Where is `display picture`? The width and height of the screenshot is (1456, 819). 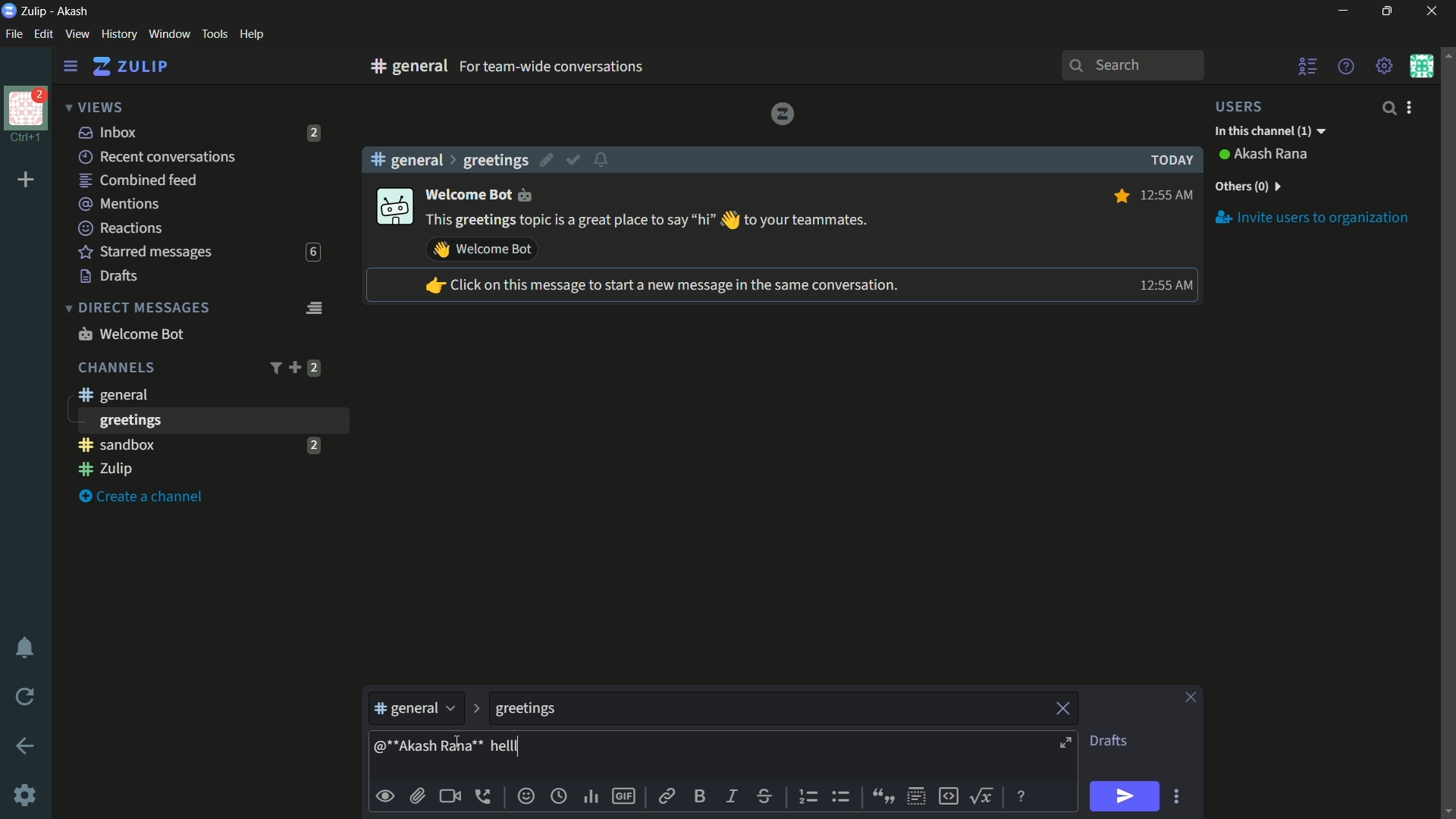
display picture is located at coordinates (393, 208).